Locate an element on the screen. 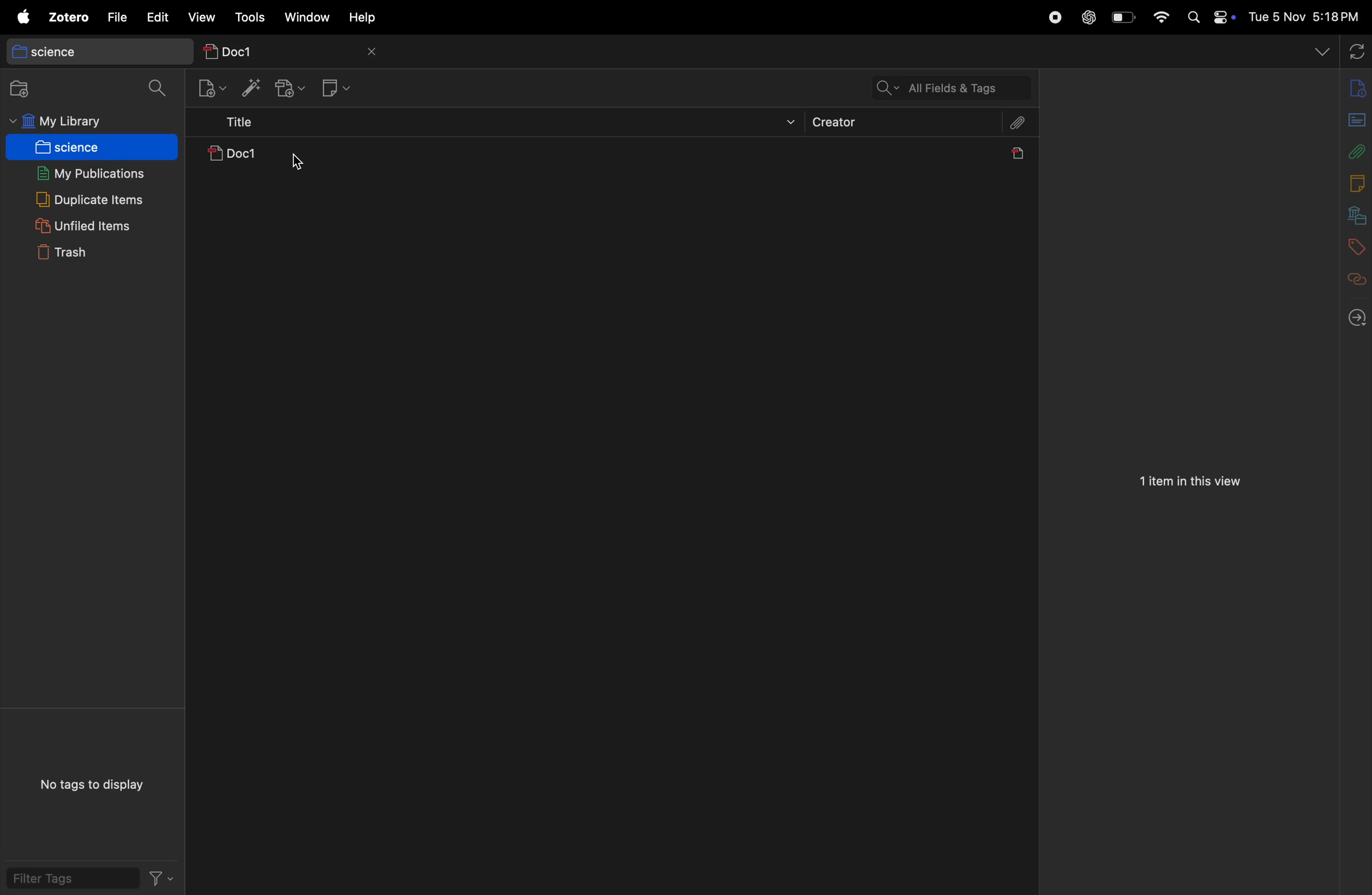 The width and height of the screenshot is (1372, 895). new note is located at coordinates (337, 87).